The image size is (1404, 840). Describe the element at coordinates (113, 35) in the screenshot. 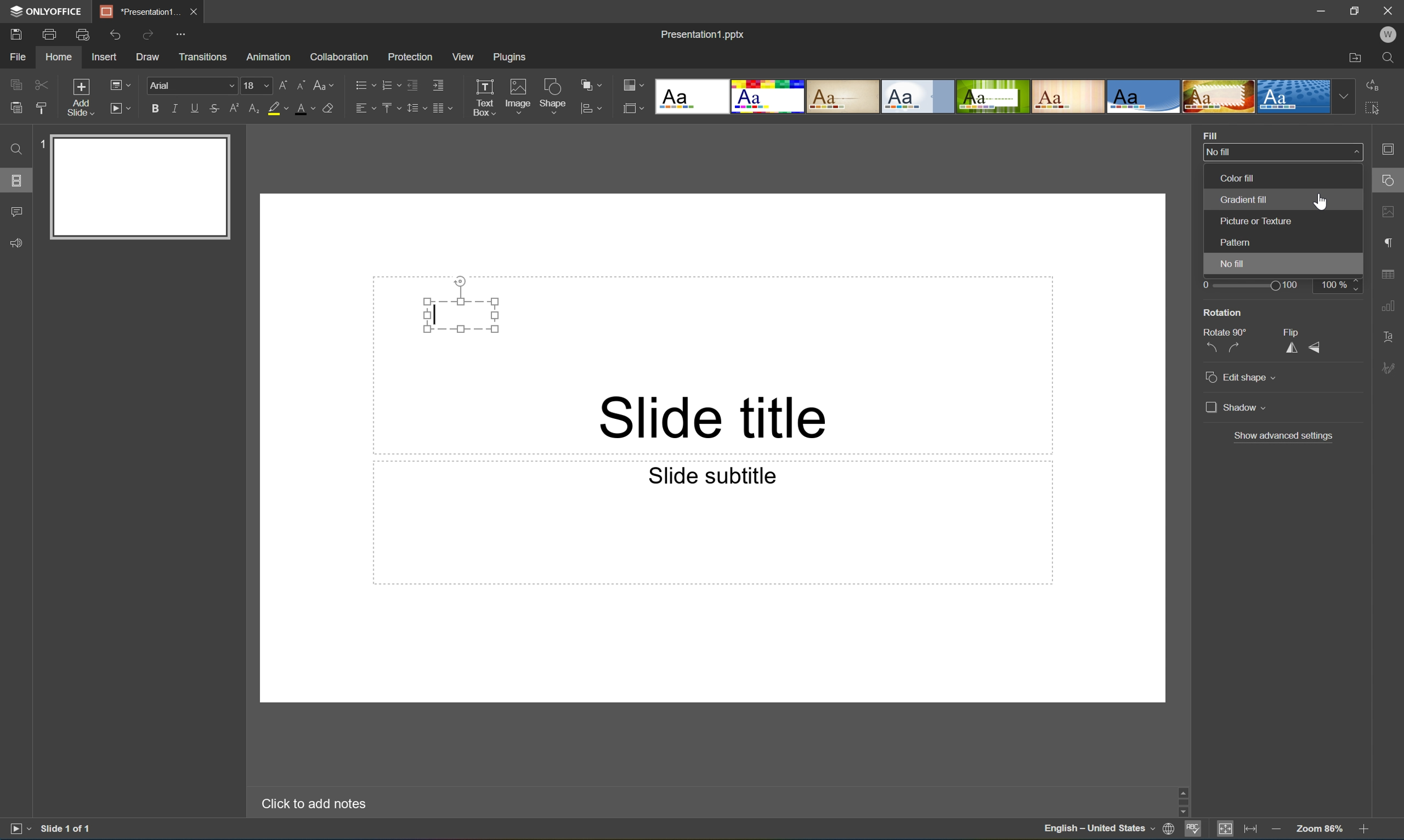

I see `Undo` at that location.